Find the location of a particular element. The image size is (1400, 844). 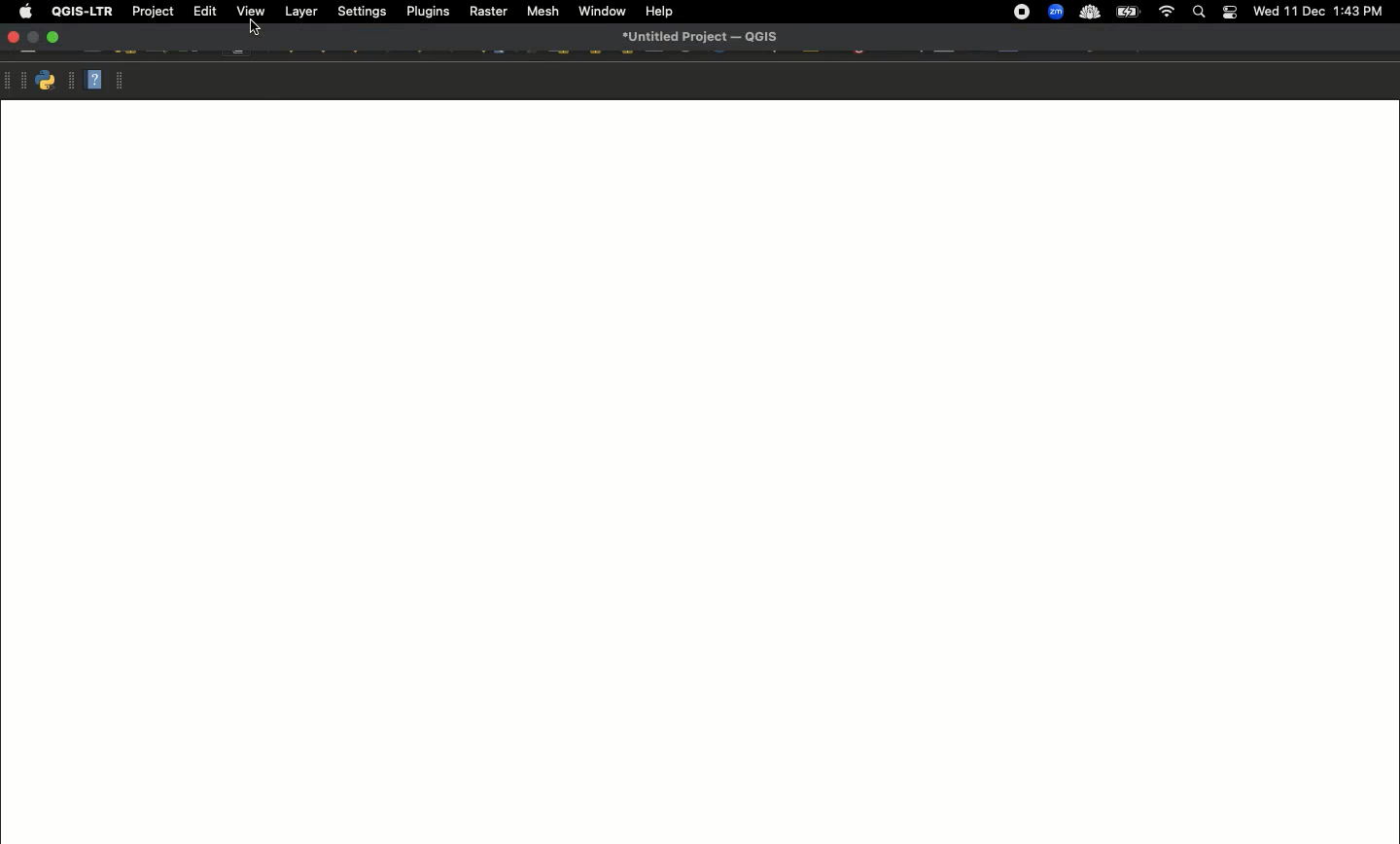

 is located at coordinates (1093, 14).